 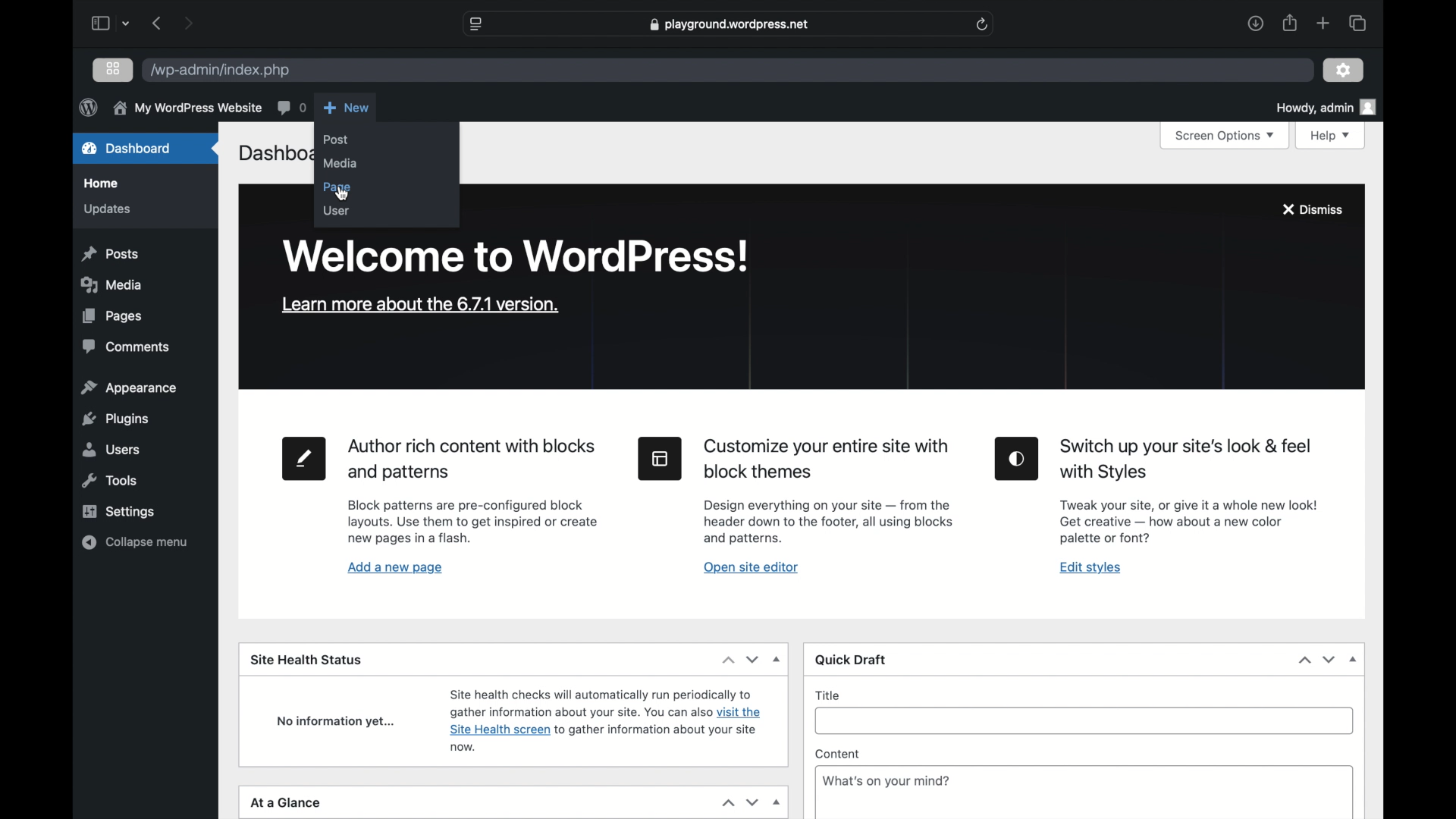 I want to click on media, so click(x=111, y=285).